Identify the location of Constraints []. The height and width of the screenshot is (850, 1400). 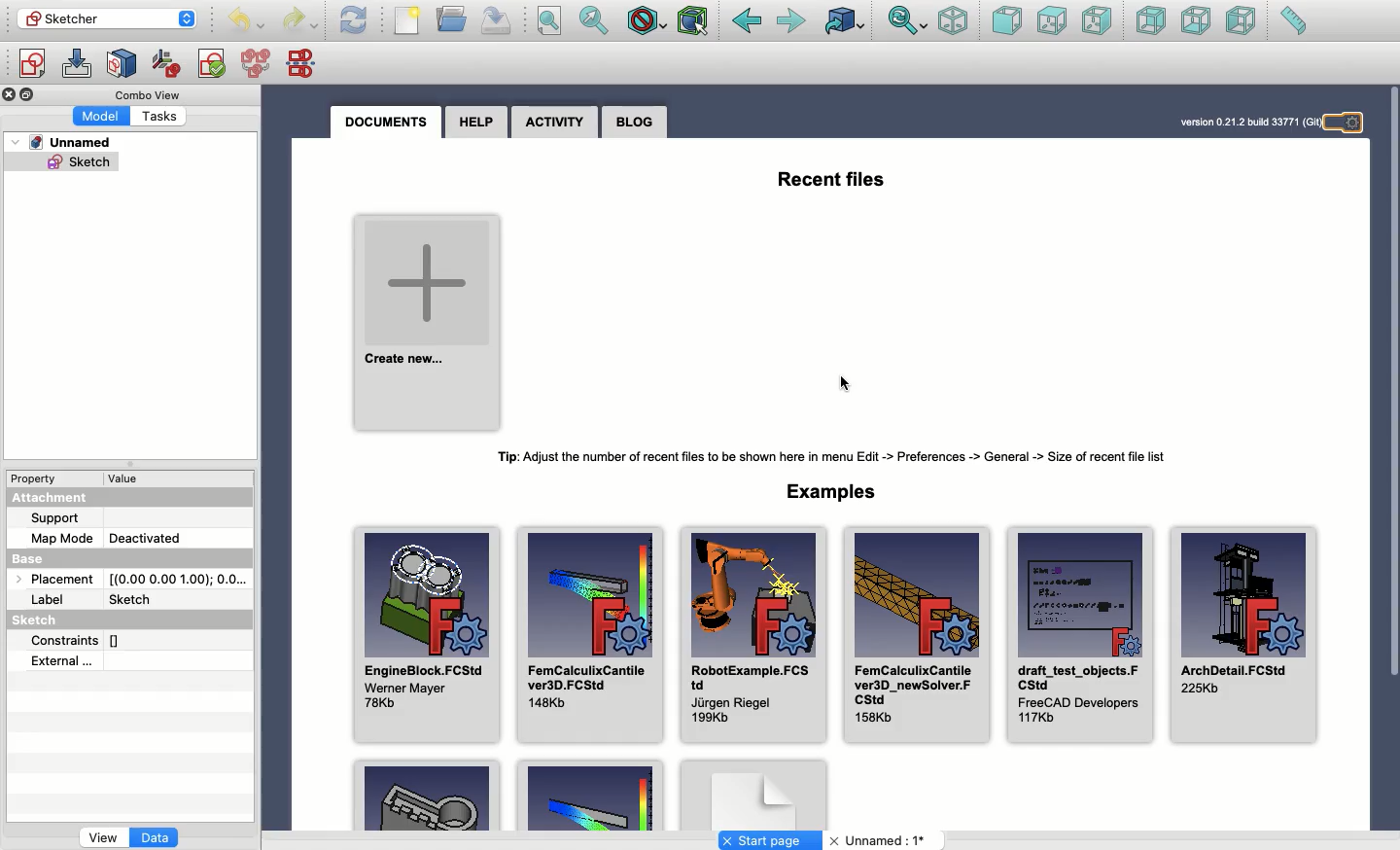
(82, 640).